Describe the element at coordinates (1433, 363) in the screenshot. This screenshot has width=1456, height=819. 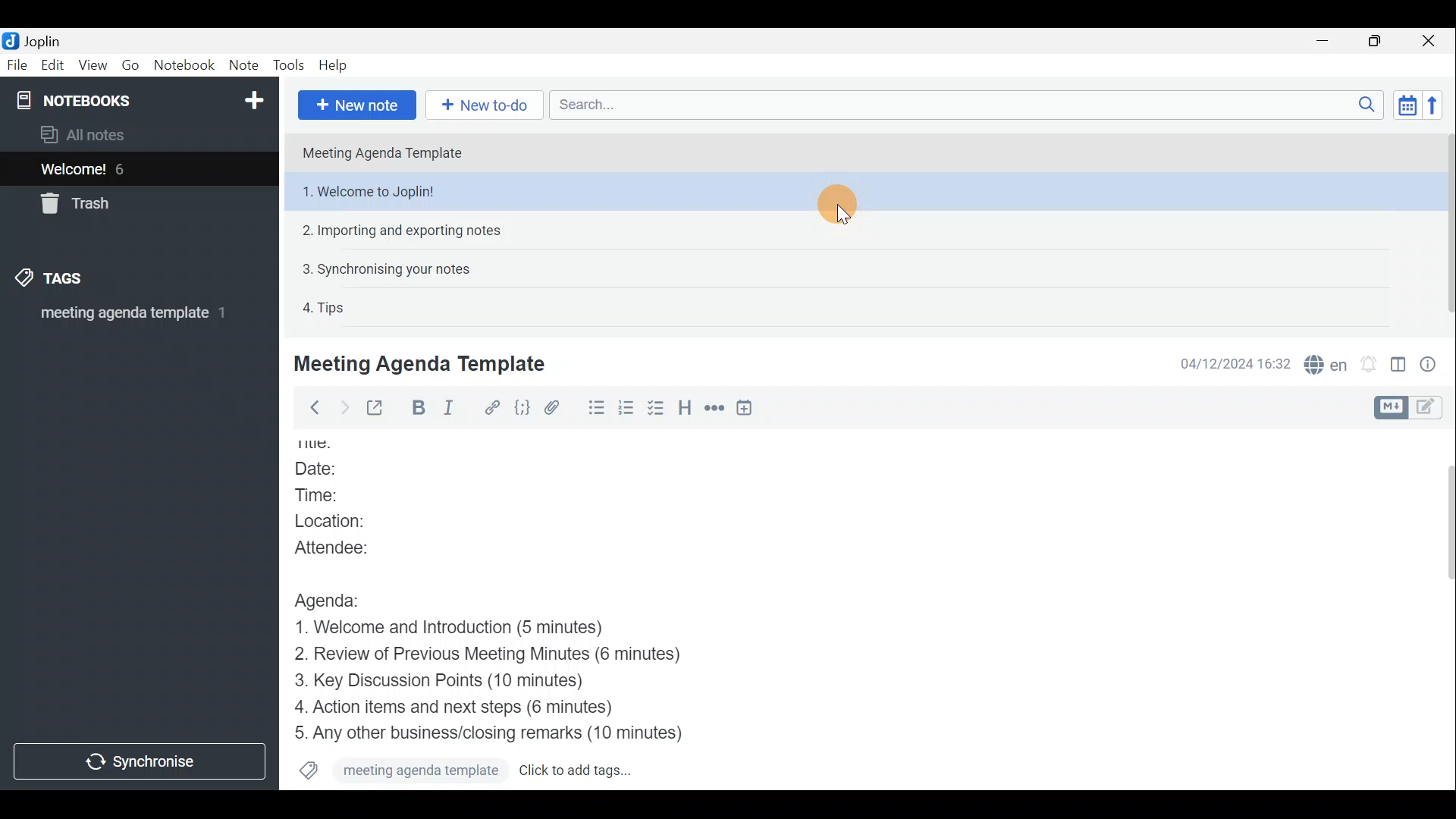
I see `Note properties` at that location.